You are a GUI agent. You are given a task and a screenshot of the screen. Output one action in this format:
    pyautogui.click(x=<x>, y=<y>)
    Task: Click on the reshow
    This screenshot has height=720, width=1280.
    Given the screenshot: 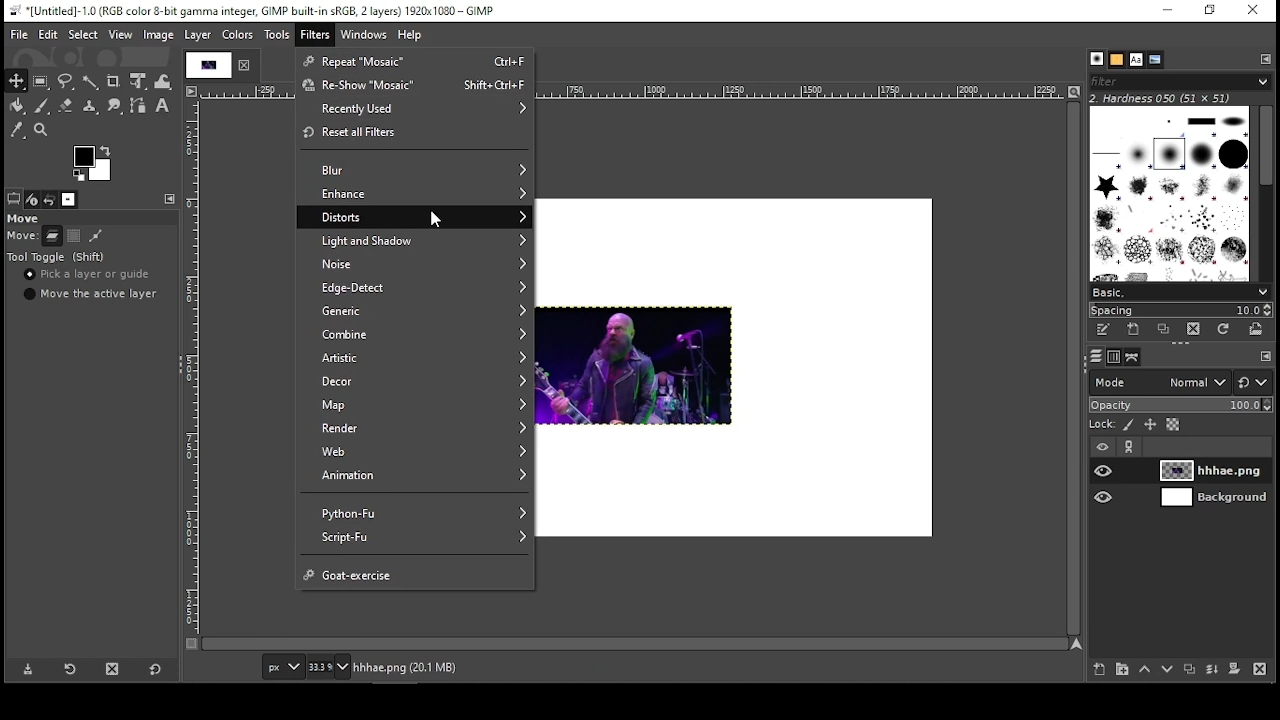 What is the action you would take?
    pyautogui.click(x=413, y=85)
    